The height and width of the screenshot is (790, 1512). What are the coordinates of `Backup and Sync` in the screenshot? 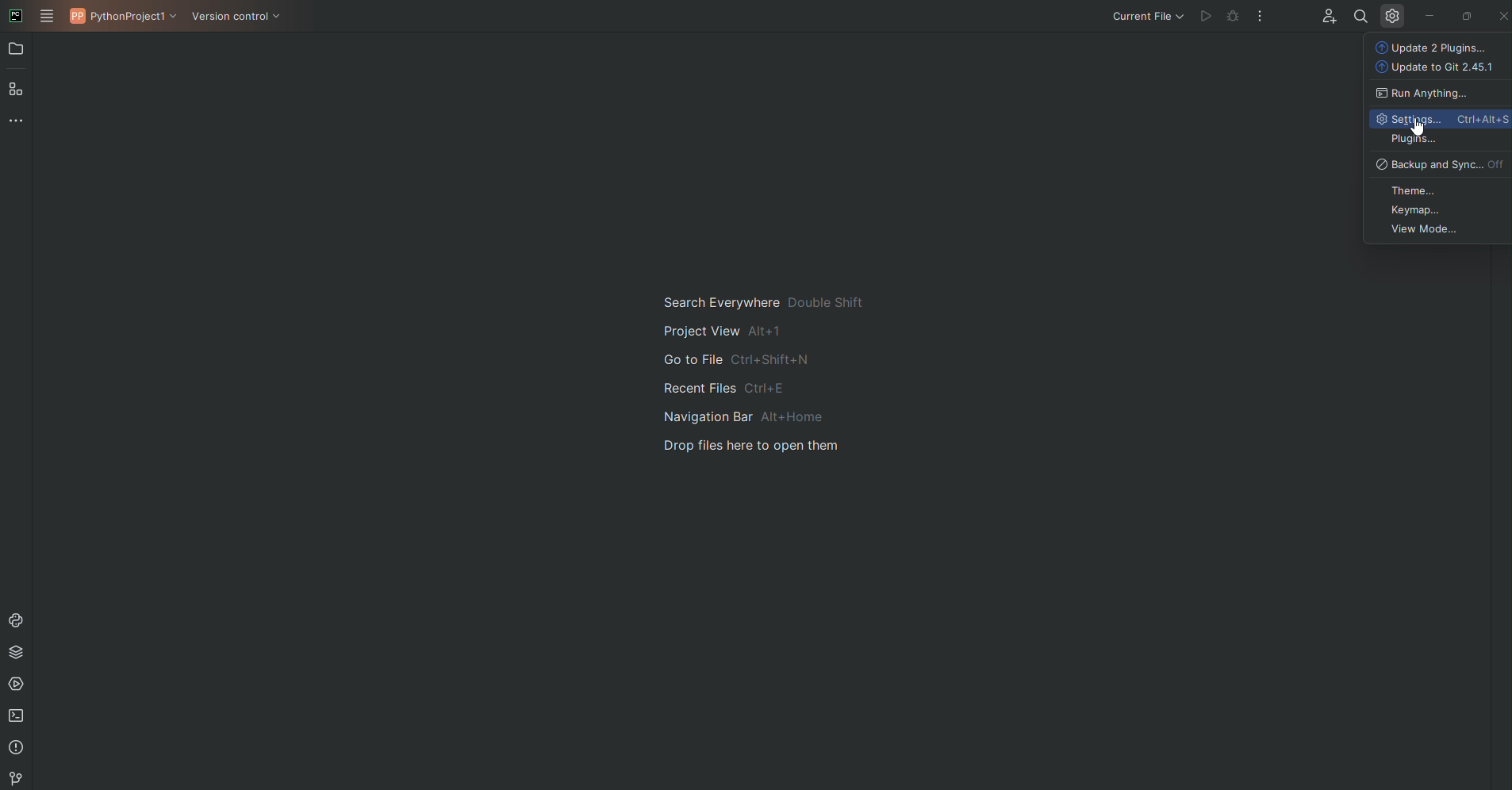 It's located at (1436, 166).